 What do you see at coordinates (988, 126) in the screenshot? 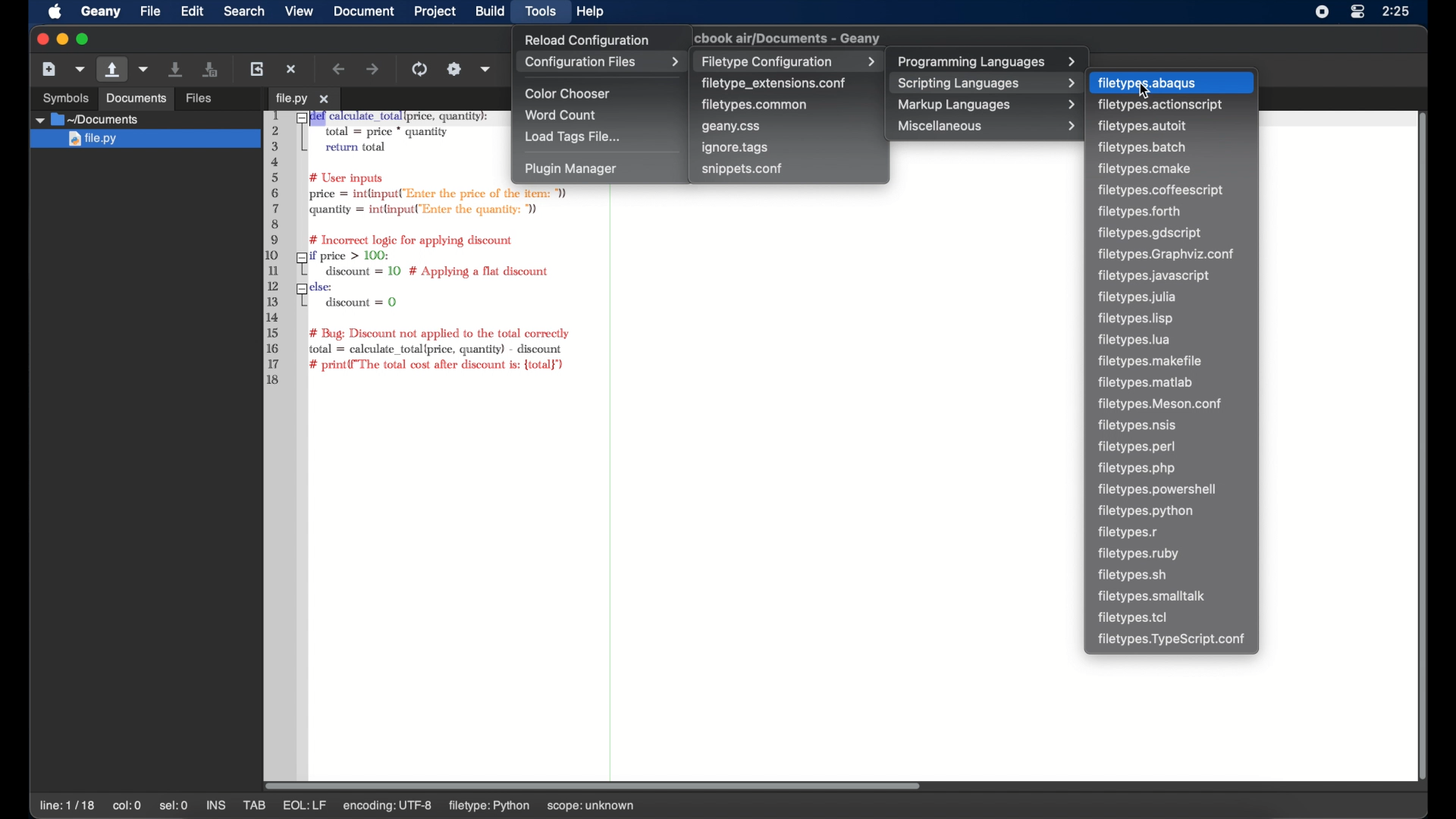
I see `miscellaneous` at bounding box center [988, 126].